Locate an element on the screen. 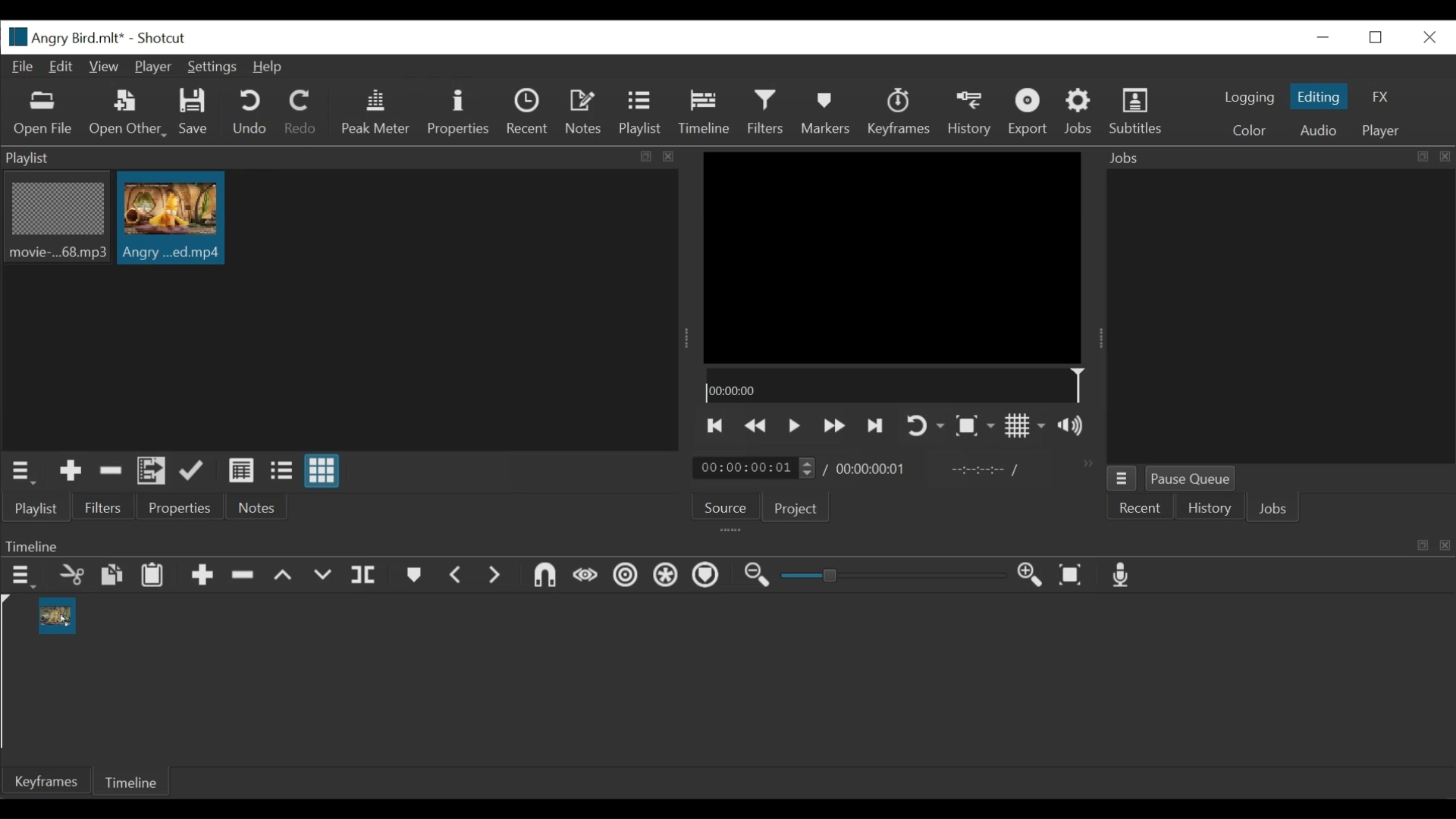 This screenshot has width=1456, height=819. Timeline is located at coordinates (704, 113).